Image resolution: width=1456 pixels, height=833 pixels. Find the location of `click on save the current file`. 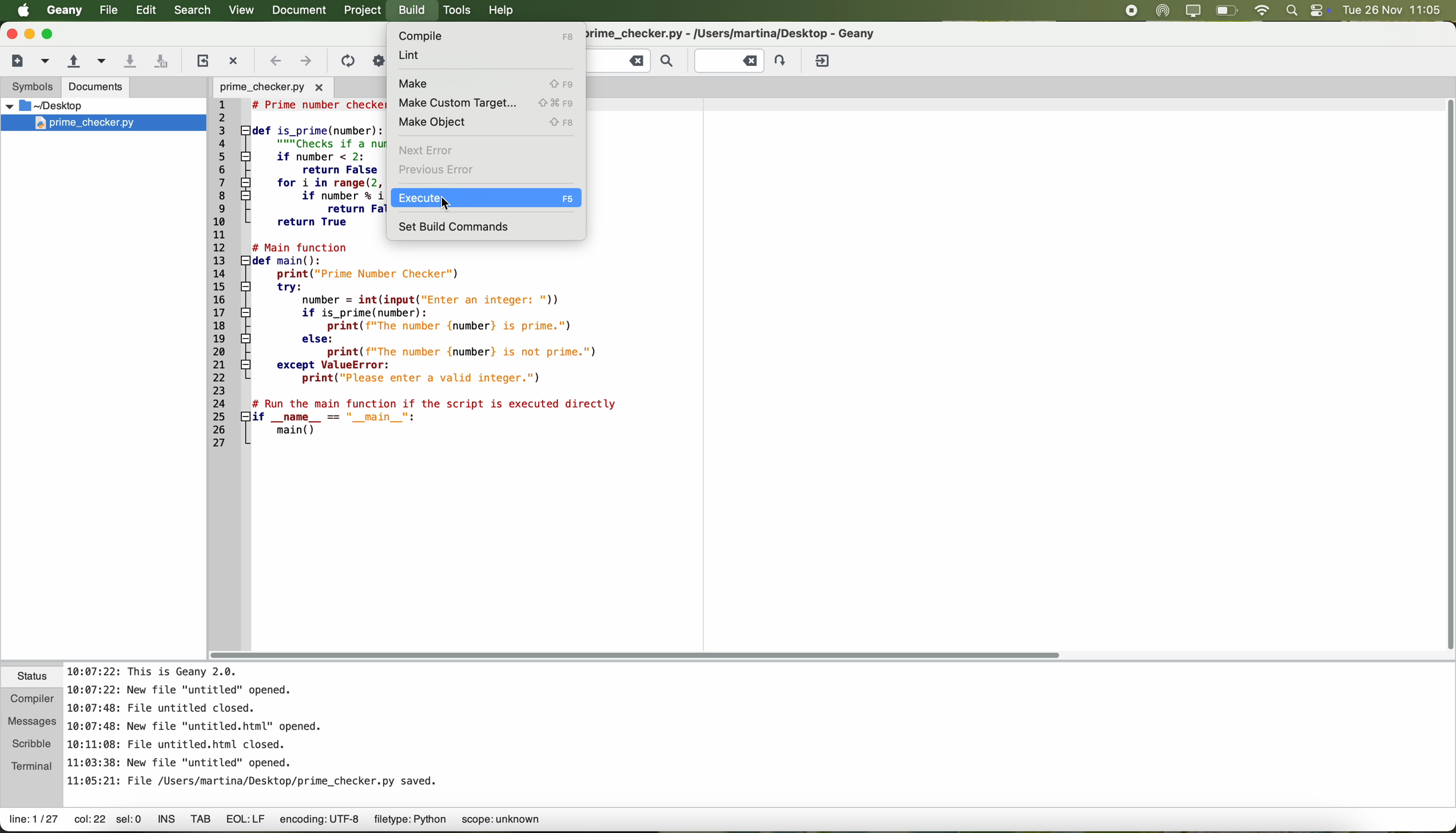

click on save the current file is located at coordinates (130, 61).